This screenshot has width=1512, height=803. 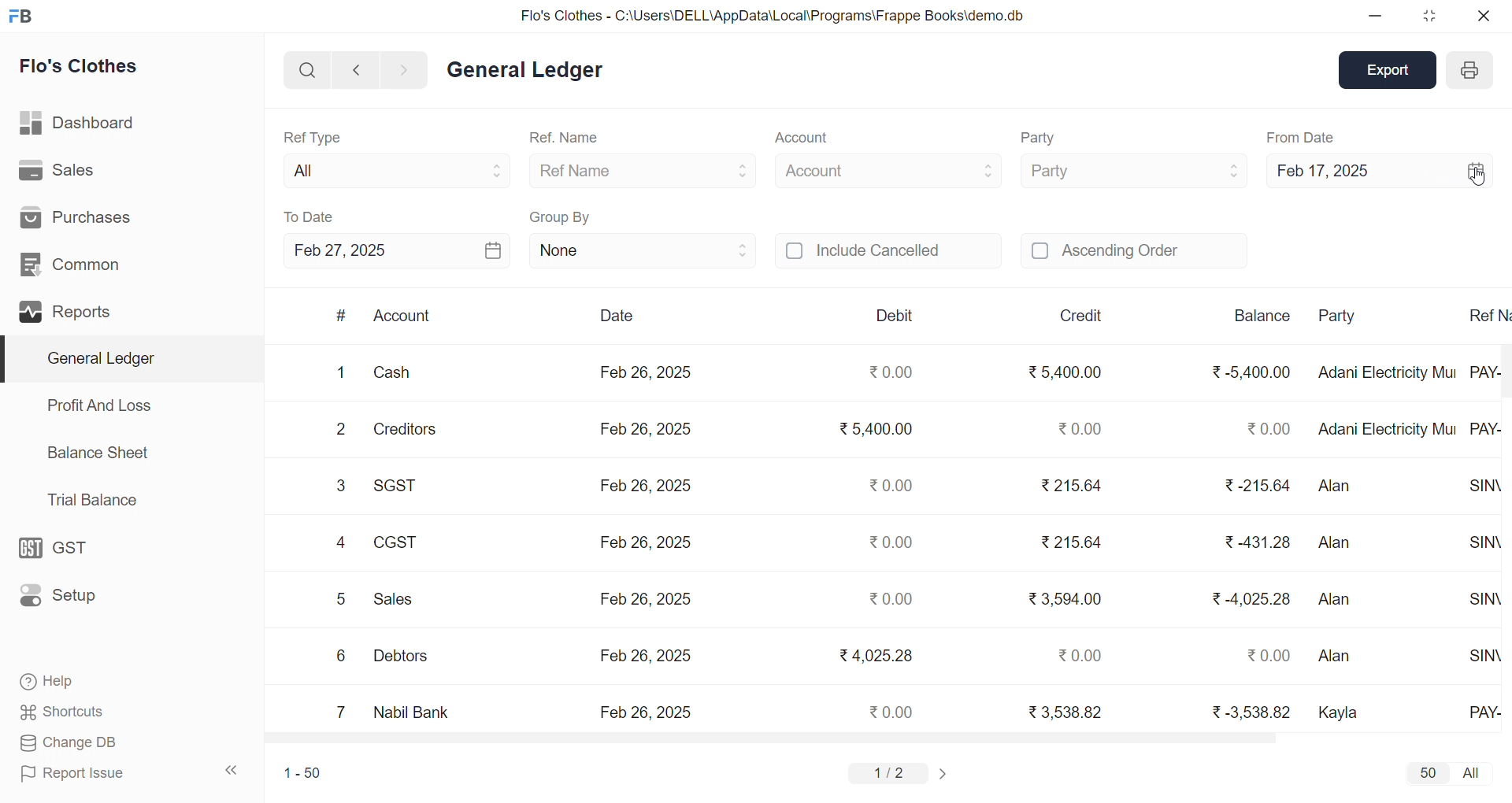 I want to click on From Date, so click(x=1301, y=137).